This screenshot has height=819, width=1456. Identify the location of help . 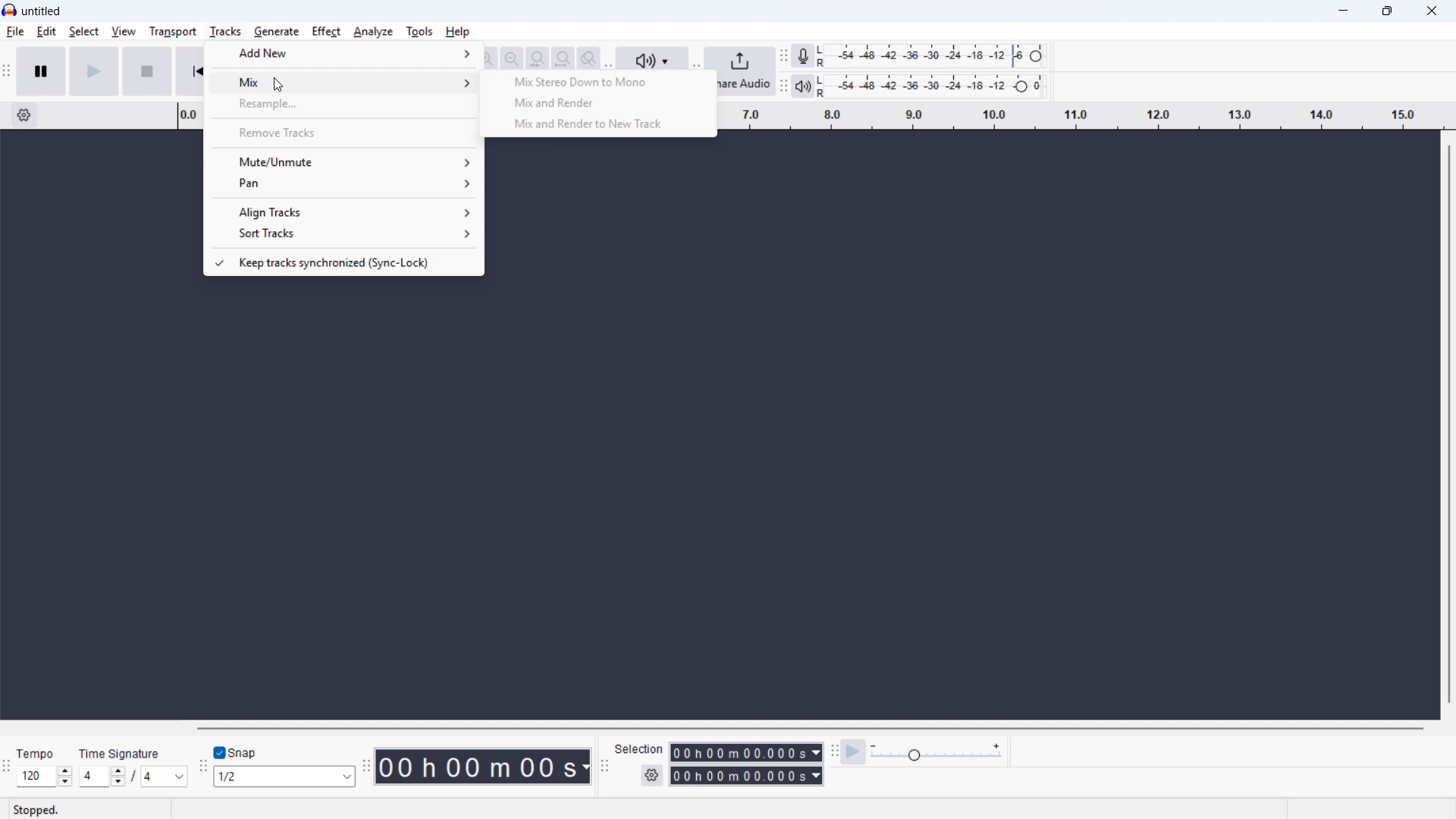
(458, 32).